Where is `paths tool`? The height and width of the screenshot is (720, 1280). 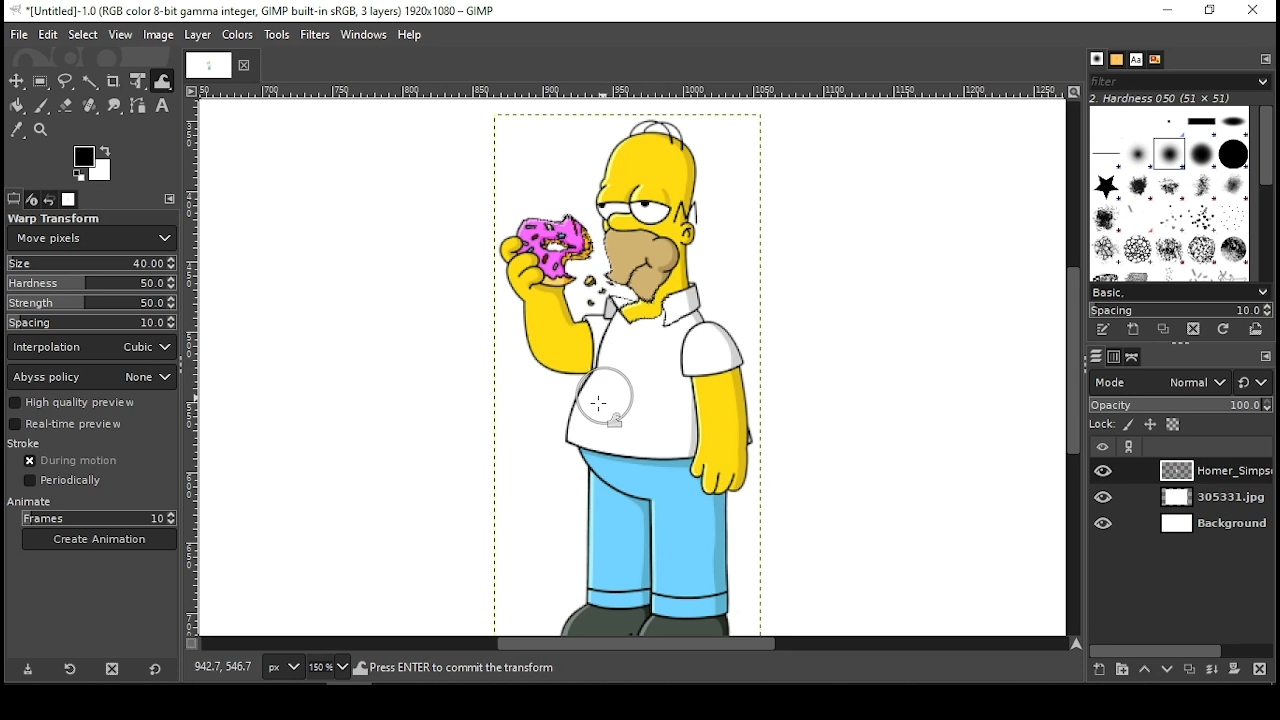
paths tool is located at coordinates (137, 106).